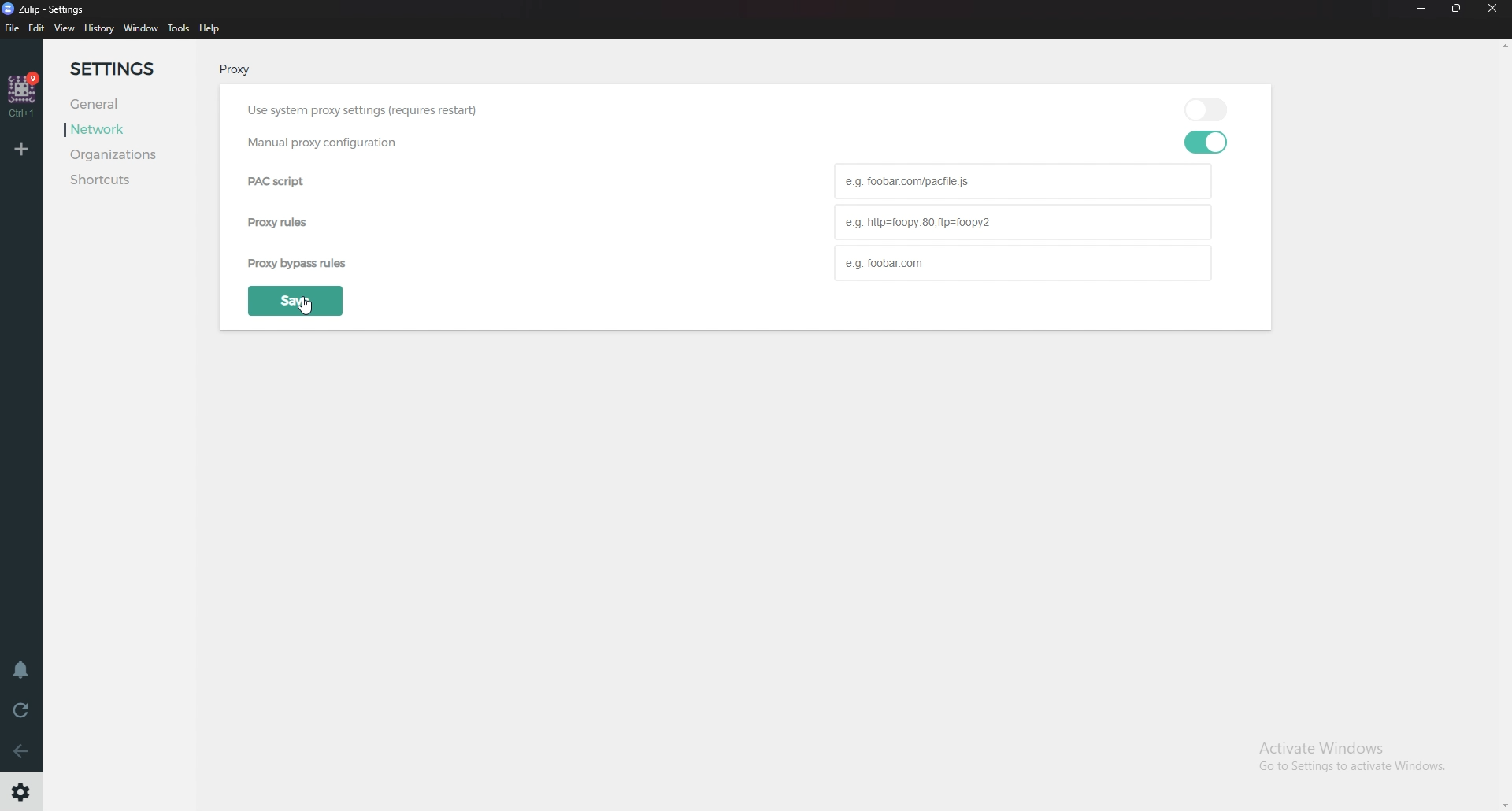 The width and height of the screenshot is (1512, 811). What do you see at coordinates (386, 109) in the screenshot?
I see `Use system proxy settings` at bounding box center [386, 109].